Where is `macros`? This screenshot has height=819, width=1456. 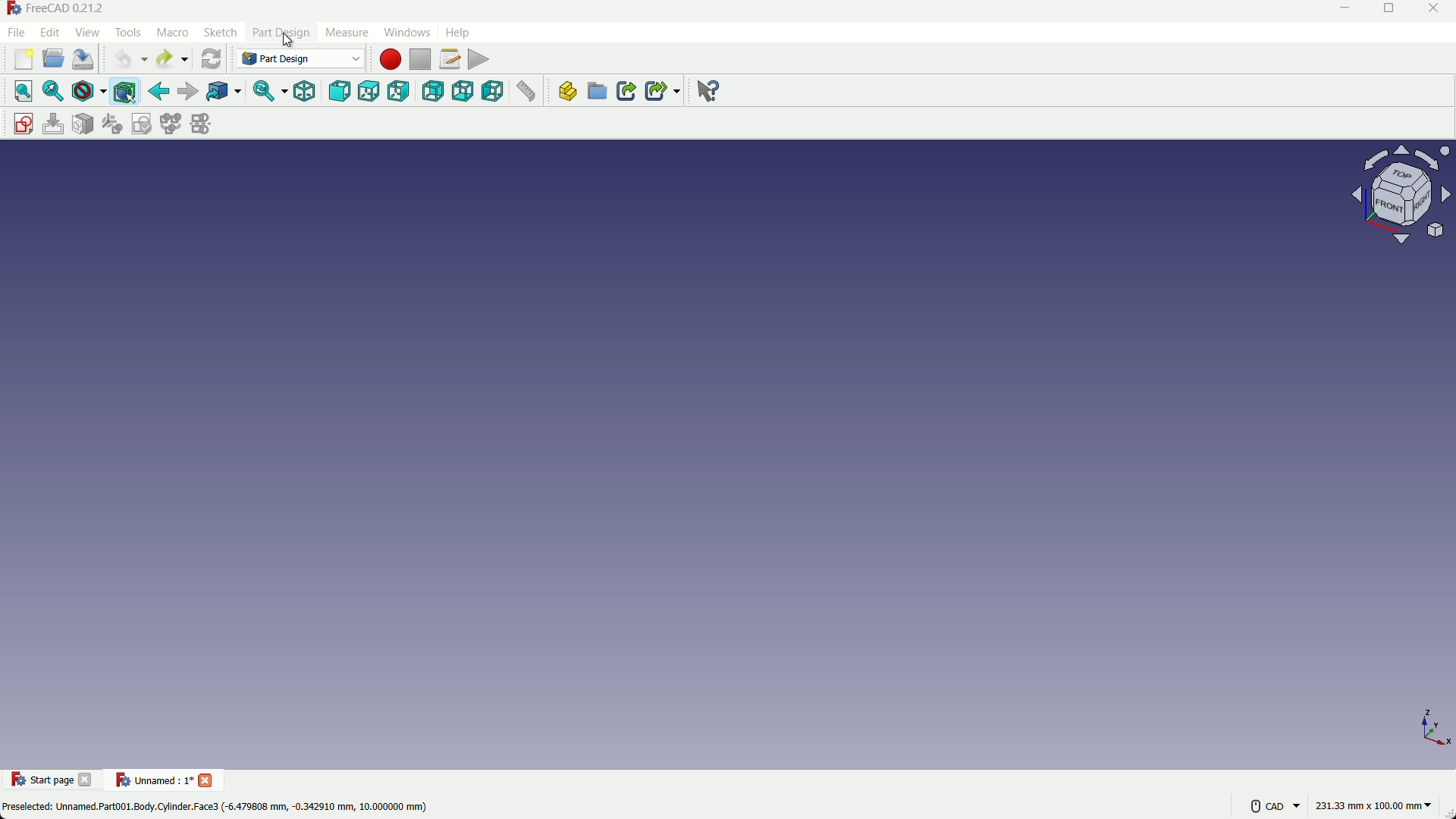 macros is located at coordinates (172, 33).